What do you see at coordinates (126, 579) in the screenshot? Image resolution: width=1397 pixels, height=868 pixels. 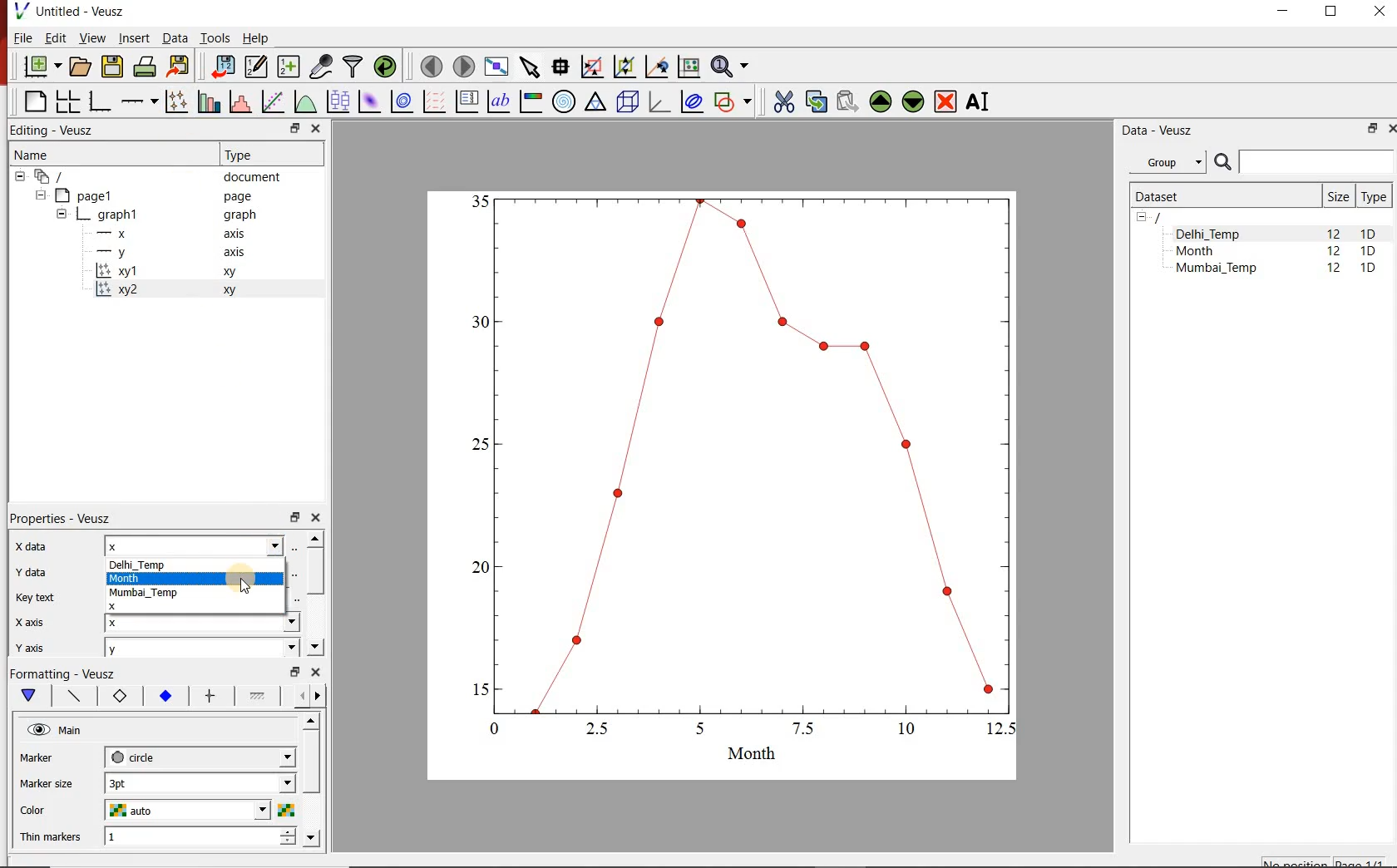 I see `Month` at bounding box center [126, 579].